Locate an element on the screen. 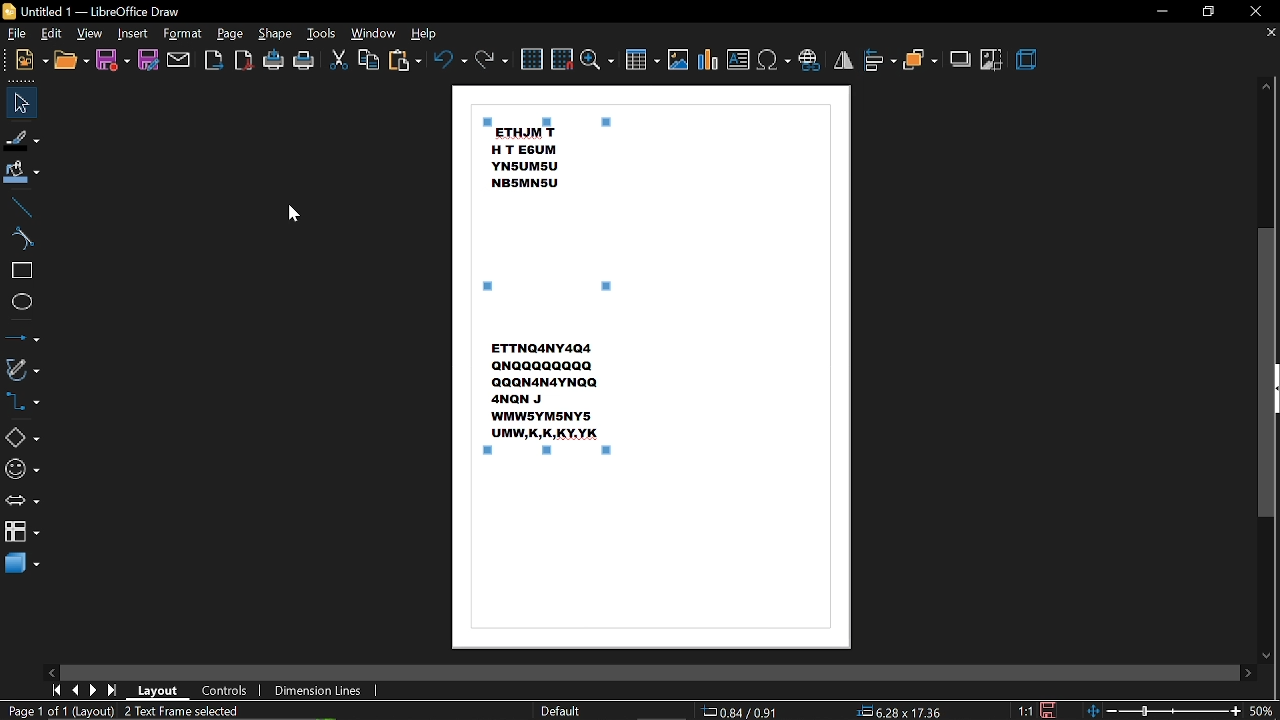  paste is located at coordinates (403, 61).